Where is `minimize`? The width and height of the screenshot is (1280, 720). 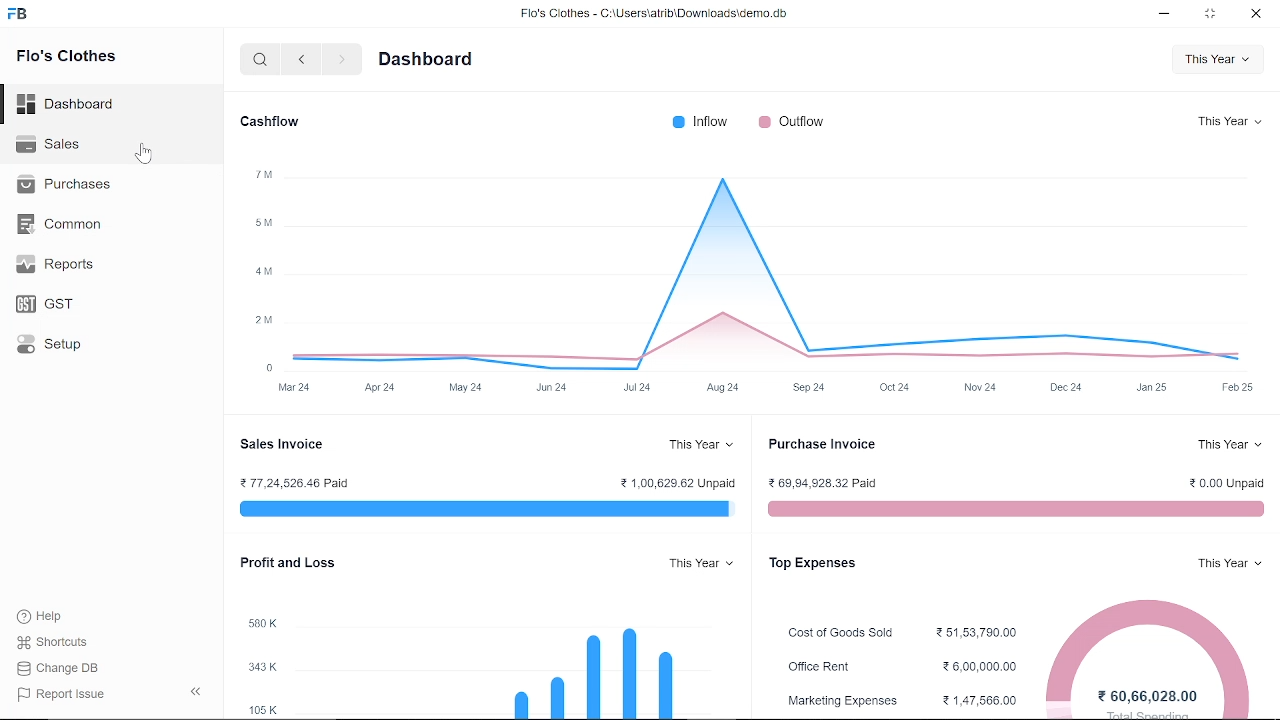
minimize is located at coordinates (1163, 17).